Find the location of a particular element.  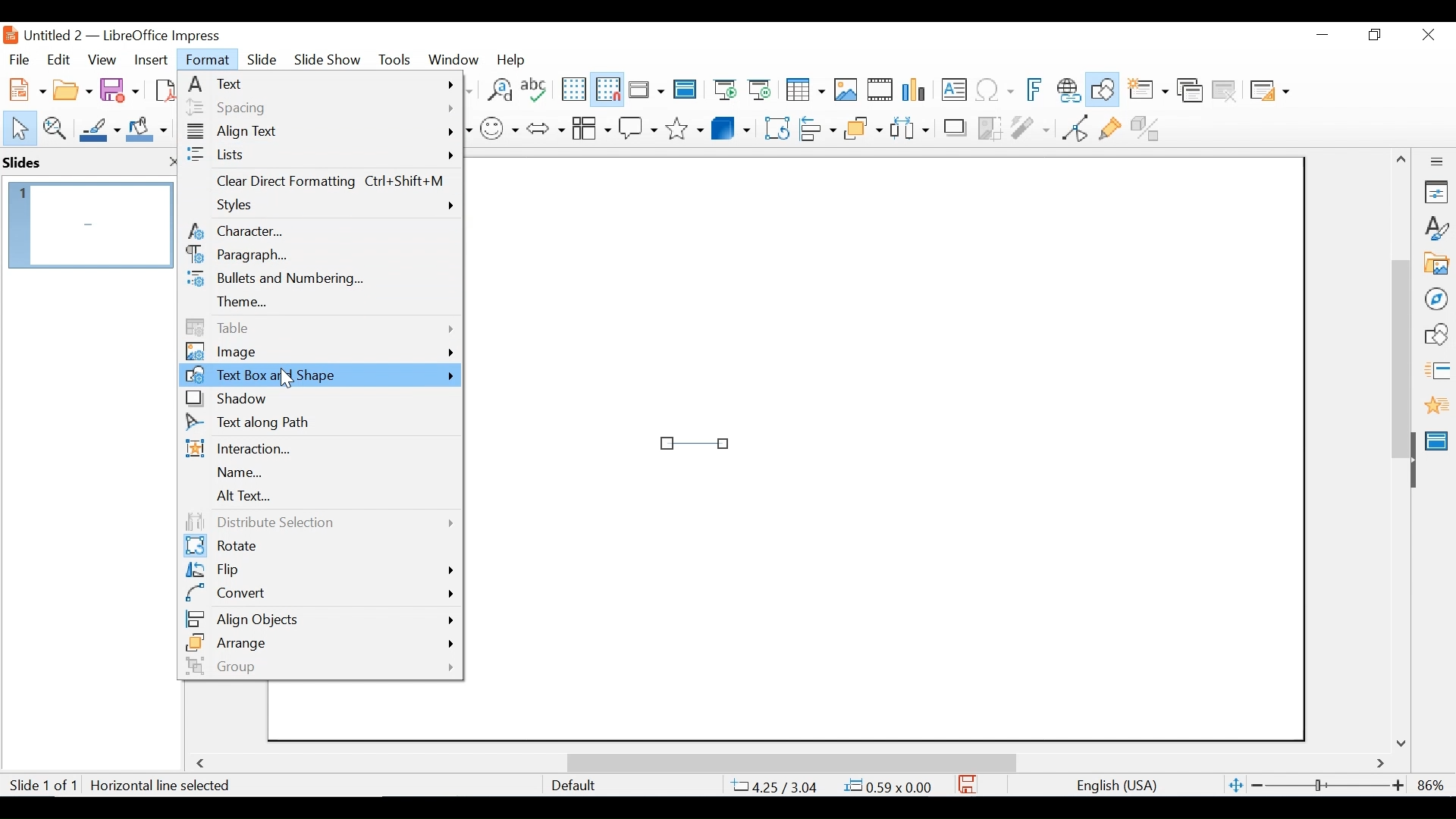

Zoom & Pan is located at coordinates (54, 127).